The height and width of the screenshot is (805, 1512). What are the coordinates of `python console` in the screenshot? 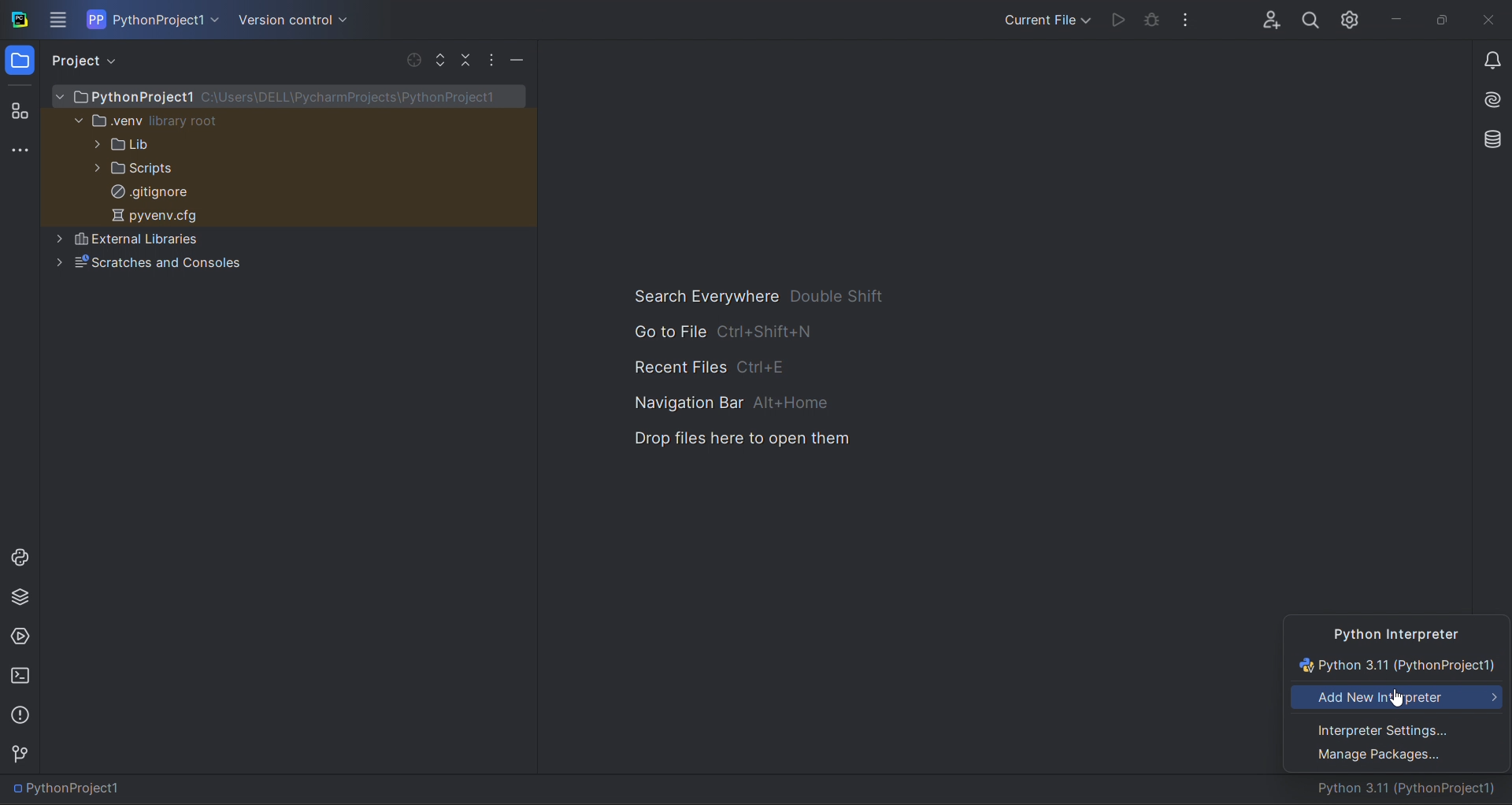 It's located at (18, 556).